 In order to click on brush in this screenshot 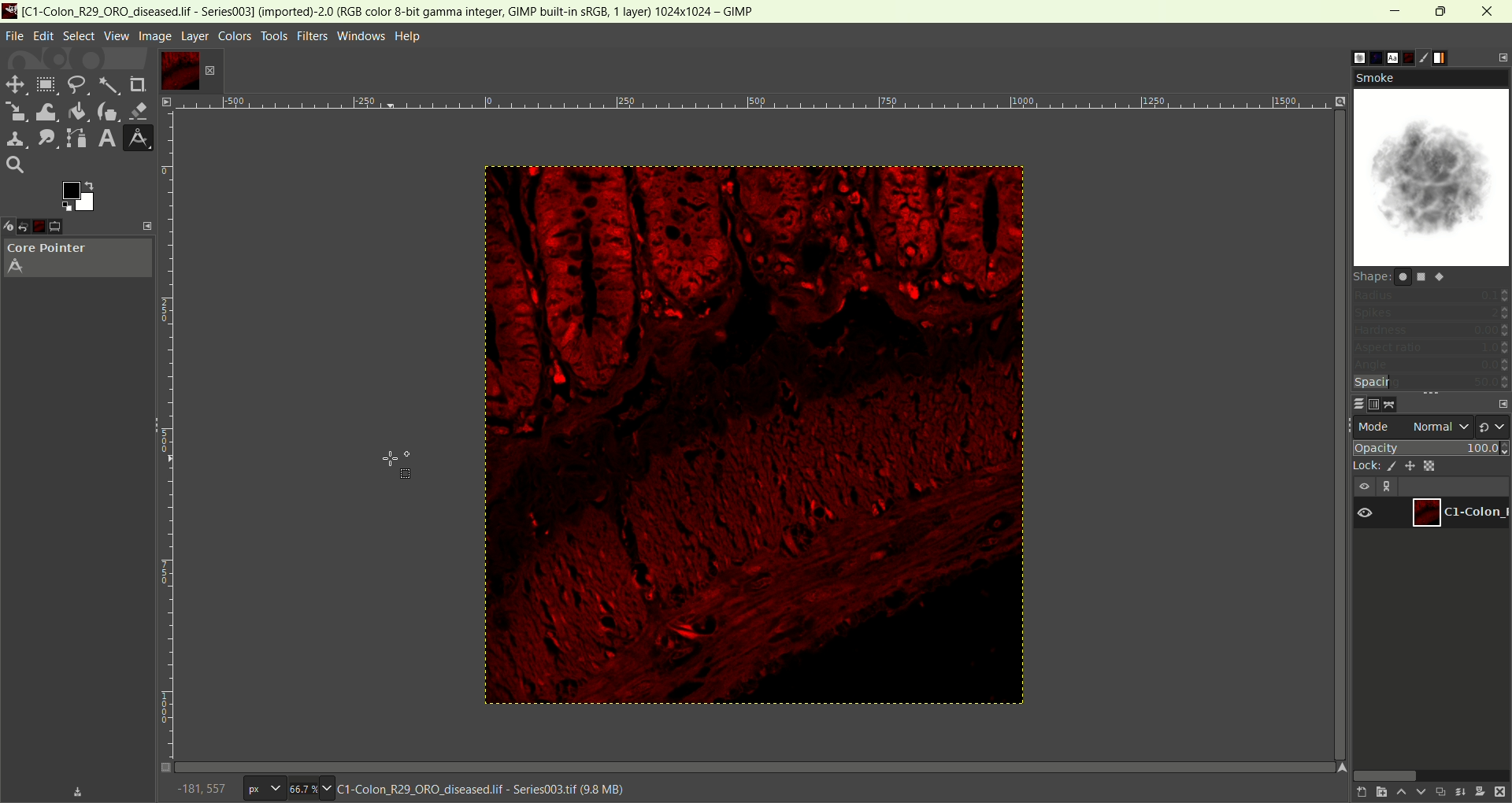, I will do `click(1430, 56)`.